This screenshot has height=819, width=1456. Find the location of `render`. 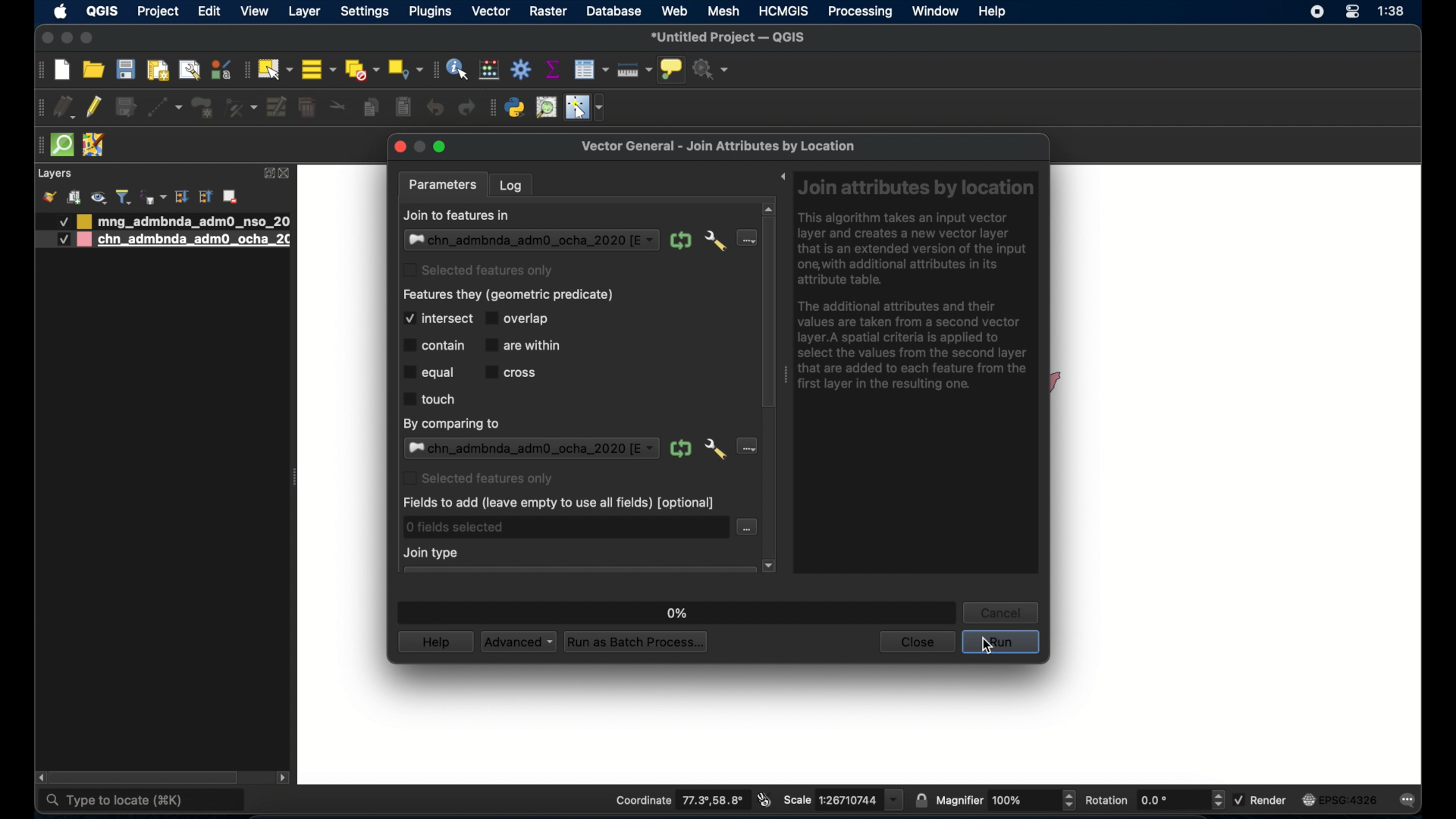

render is located at coordinates (1260, 799).